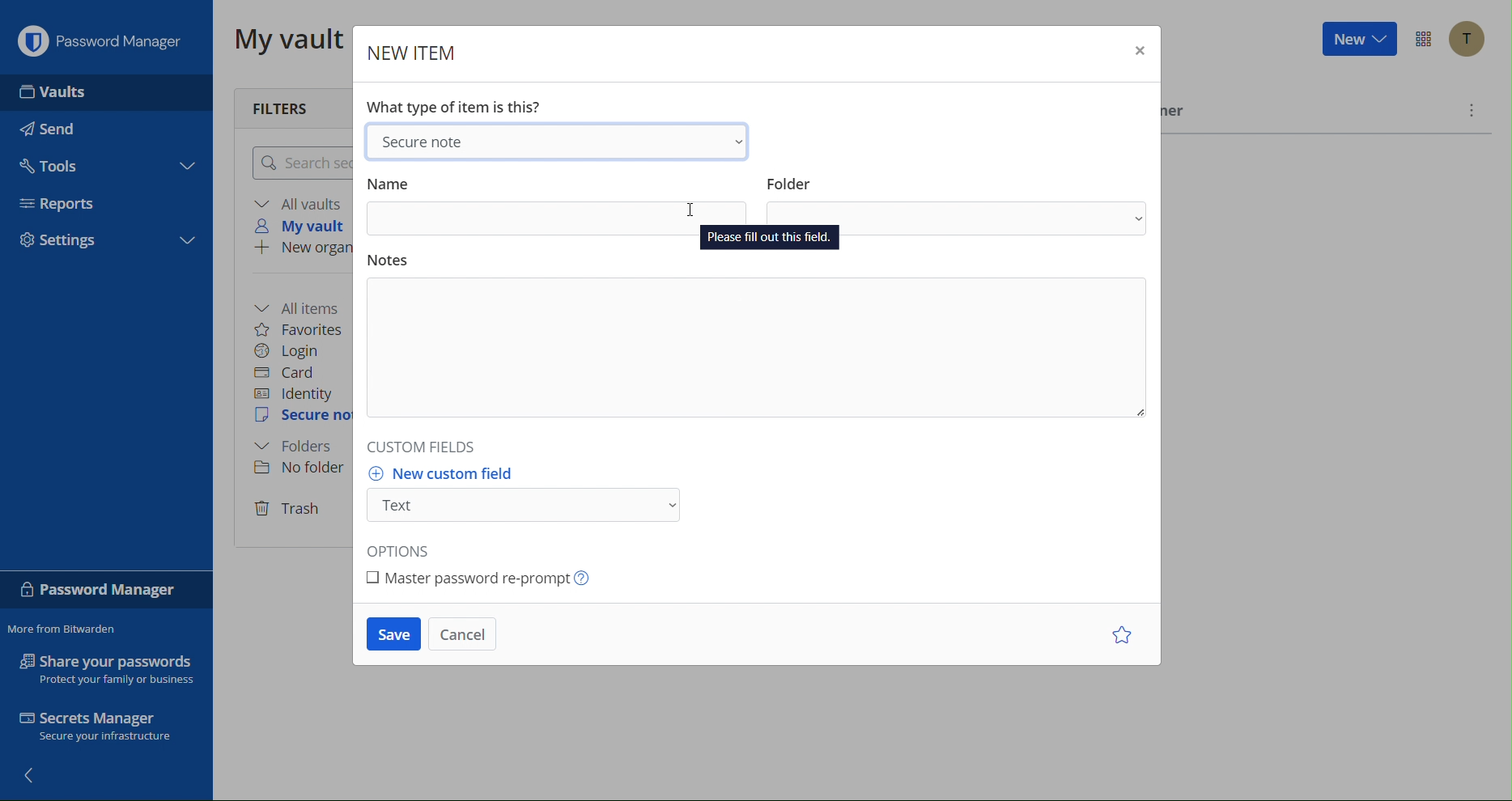  I want to click on Master password re-prompt, so click(483, 579).